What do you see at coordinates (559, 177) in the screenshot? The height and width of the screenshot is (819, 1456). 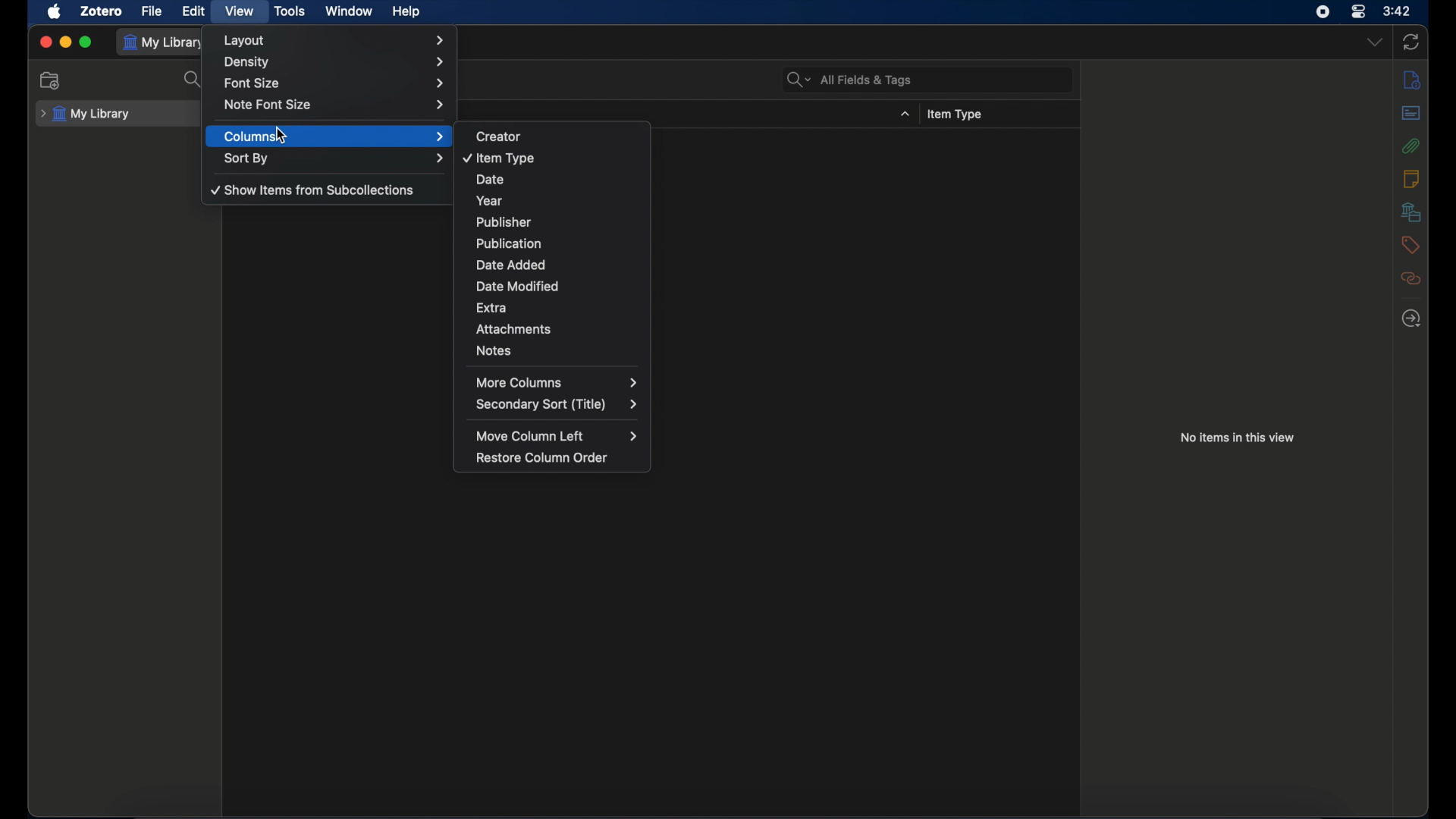 I see `date` at bounding box center [559, 177].